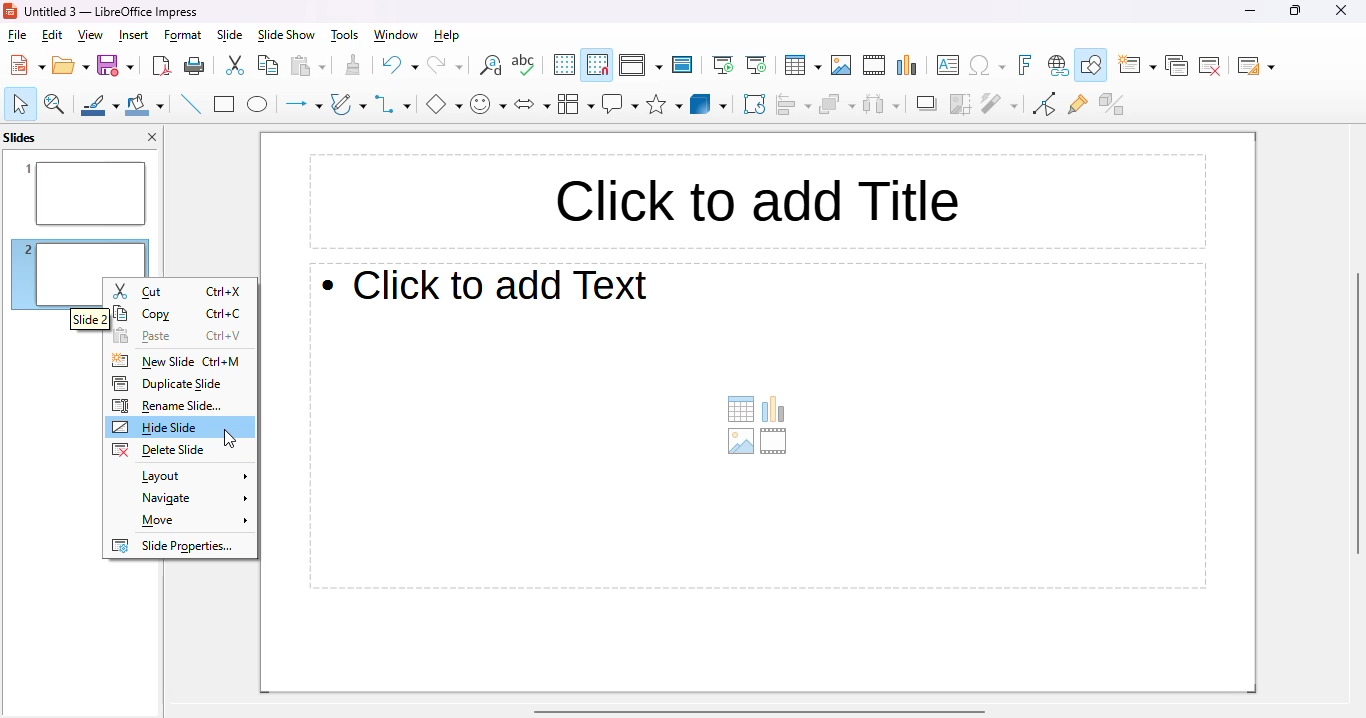 This screenshot has height=718, width=1366. I want to click on insert fontwork text, so click(1026, 66).